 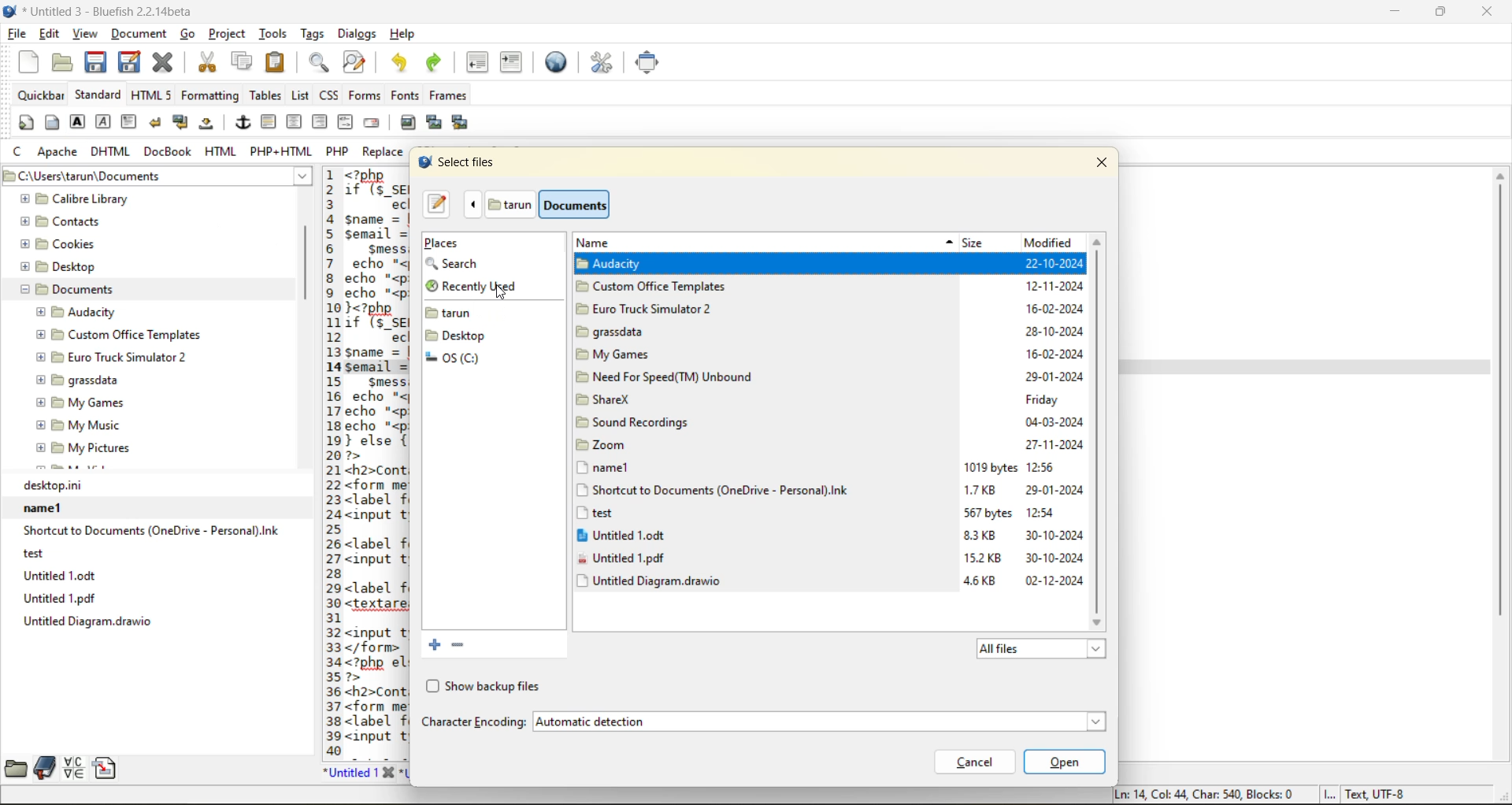 I want to click on titles from current folder, so click(x=757, y=424).